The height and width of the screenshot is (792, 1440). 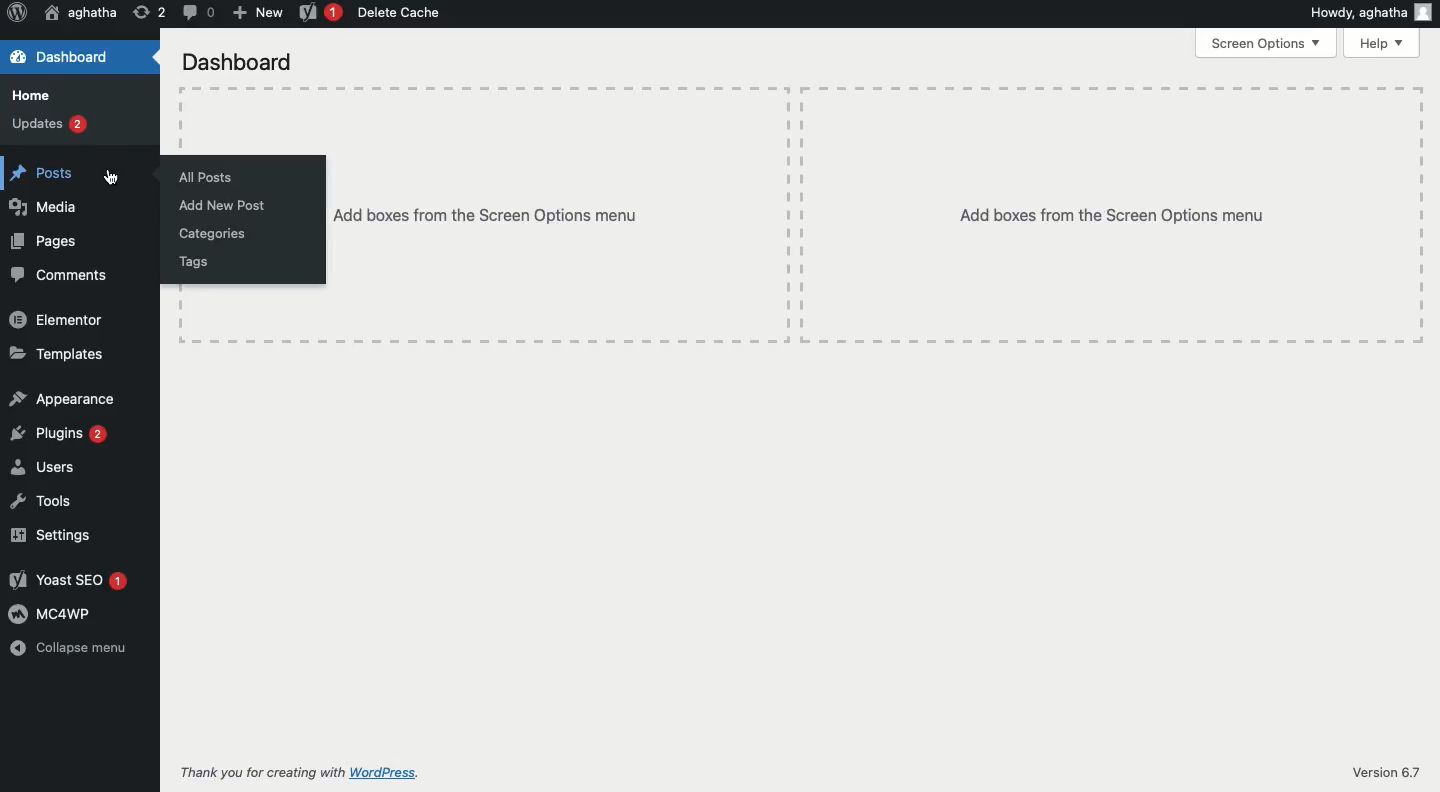 I want to click on Dashboard, so click(x=80, y=56).